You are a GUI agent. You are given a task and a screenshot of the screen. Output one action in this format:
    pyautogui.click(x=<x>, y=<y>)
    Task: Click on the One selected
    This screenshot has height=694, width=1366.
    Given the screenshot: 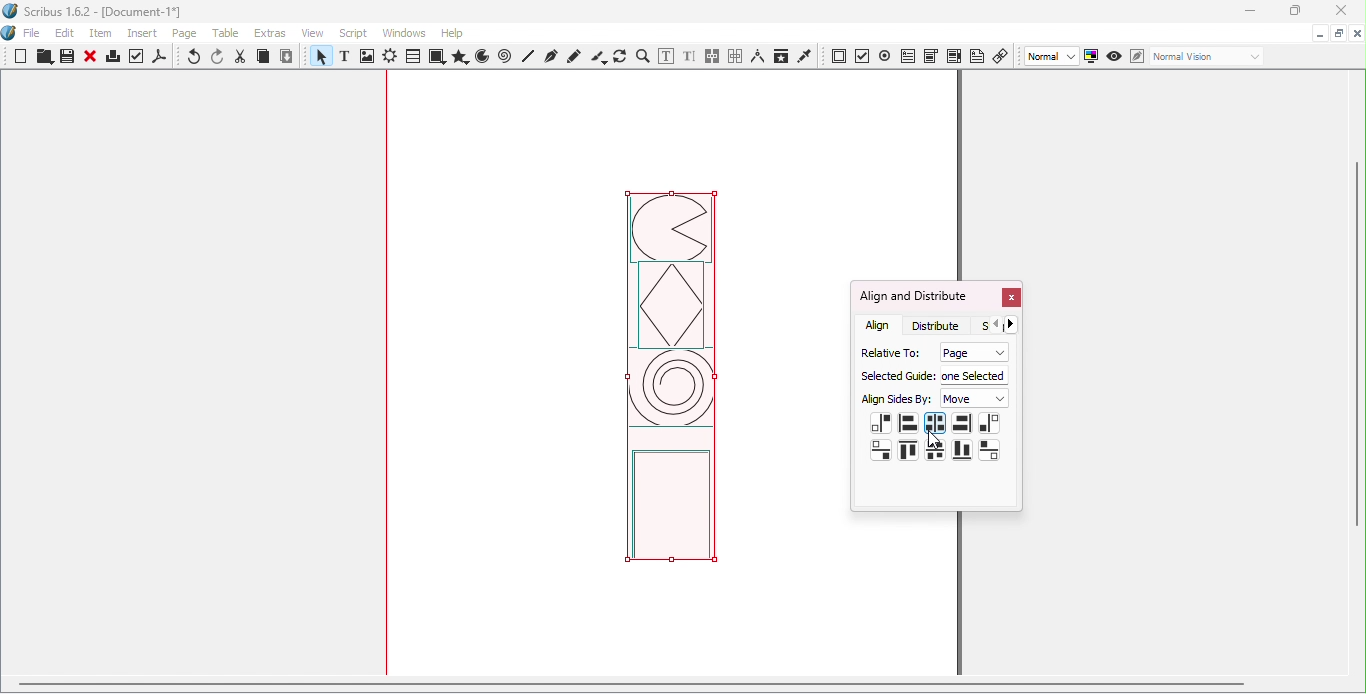 What is the action you would take?
    pyautogui.click(x=975, y=374)
    